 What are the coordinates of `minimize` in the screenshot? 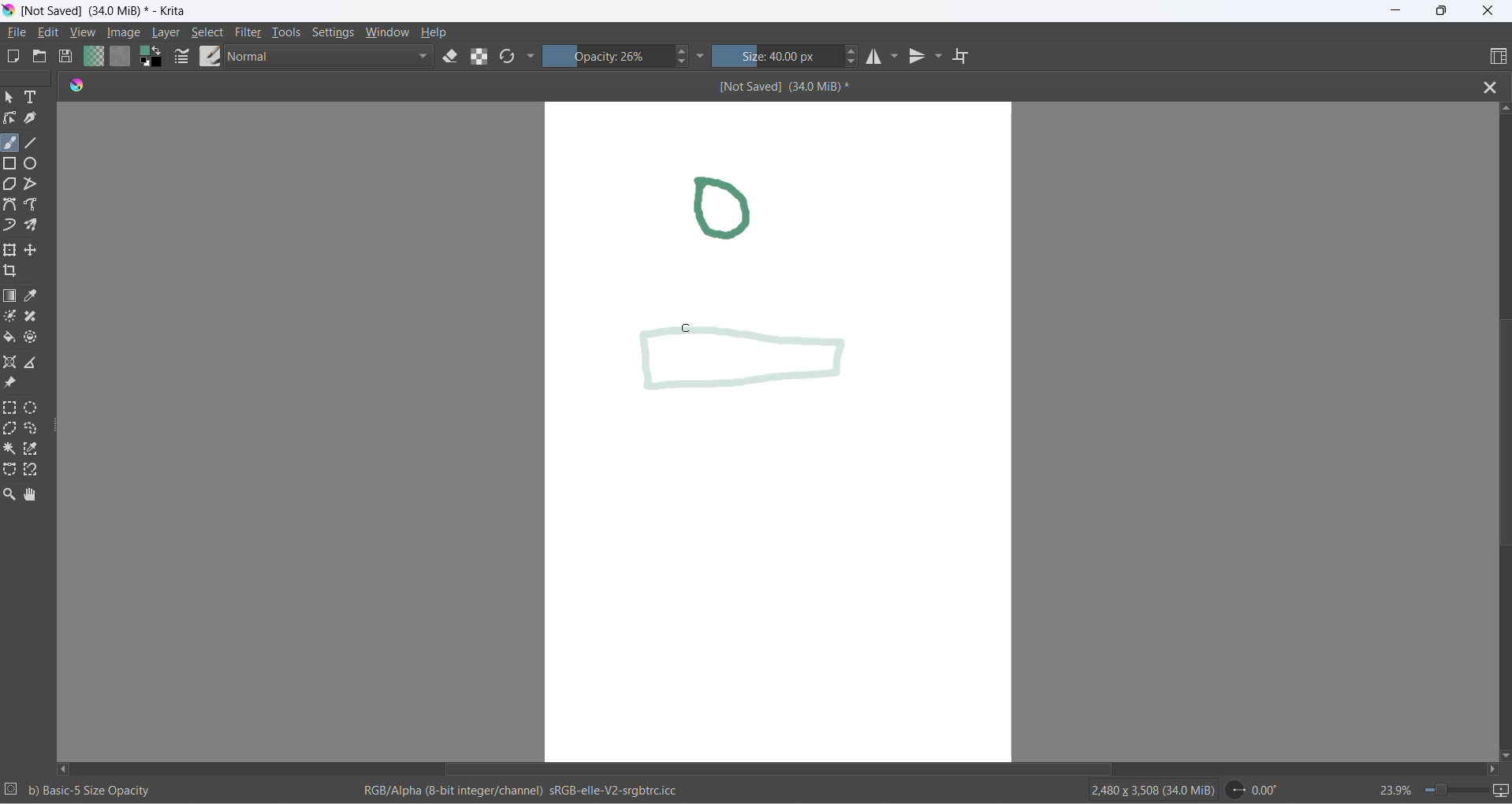 It's located at (1396, 10).